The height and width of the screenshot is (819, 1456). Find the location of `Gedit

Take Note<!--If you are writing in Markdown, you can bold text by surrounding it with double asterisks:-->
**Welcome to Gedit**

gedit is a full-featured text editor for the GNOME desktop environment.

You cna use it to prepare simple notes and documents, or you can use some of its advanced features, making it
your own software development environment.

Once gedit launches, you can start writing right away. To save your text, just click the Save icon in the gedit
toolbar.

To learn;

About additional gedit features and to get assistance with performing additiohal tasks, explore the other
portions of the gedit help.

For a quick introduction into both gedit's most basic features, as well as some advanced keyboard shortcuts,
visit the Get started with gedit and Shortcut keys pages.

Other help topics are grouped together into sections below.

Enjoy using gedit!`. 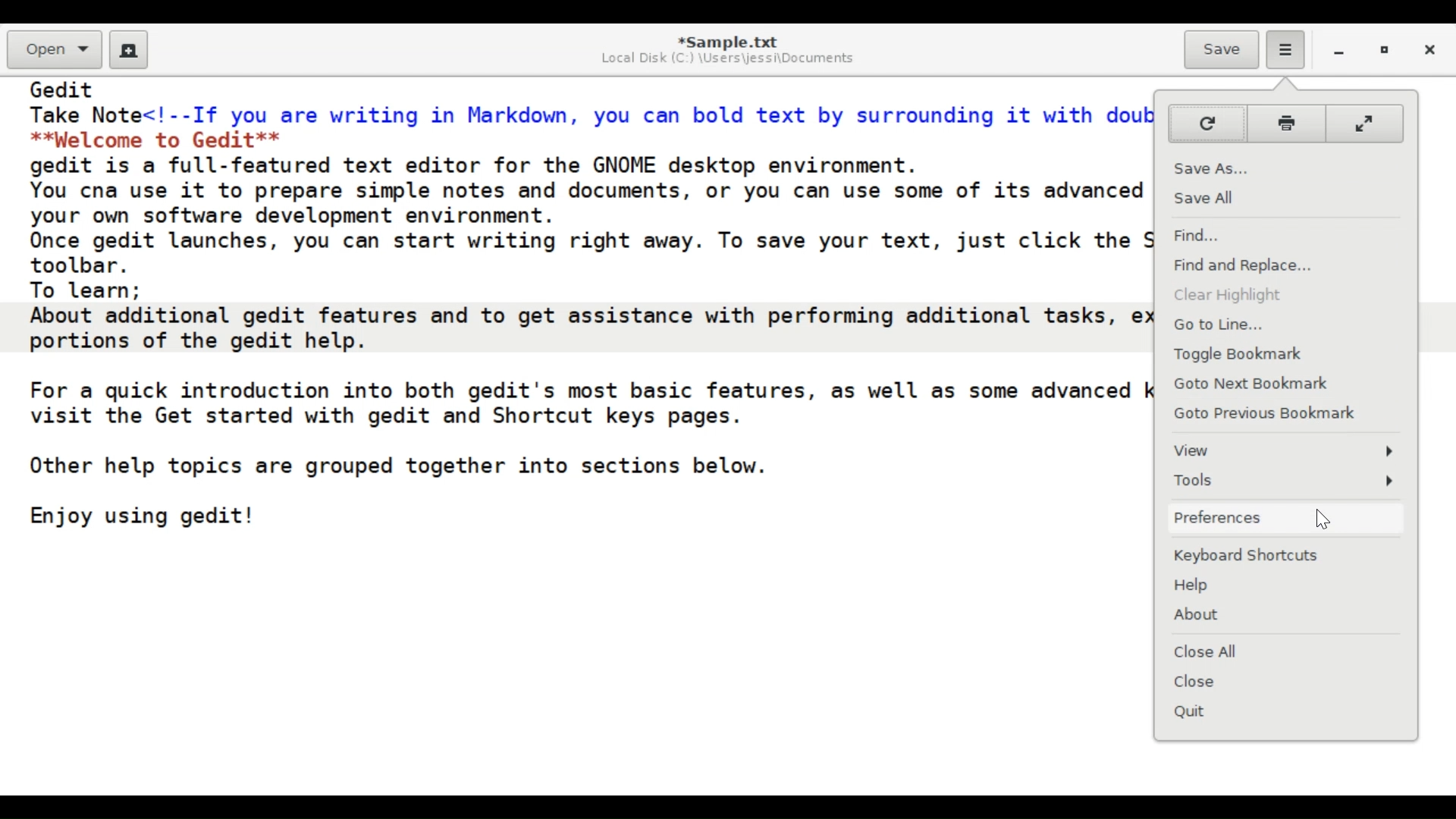

Gedit

Take Note<!--If you are writing in Markdown, you can bold text by surrounding it with double asterisks:-->
**Welcome to Gedit**

gedit is a full-featured text editor for the GNOME desktop environment.

You cna use it to prepare simple notes and documents, or you can use some of its advanced features, making it
your own software development environment.

Once gedit launches, you can start writing right away. To save your text, just click the Save icon in the gedit
toolbar.

To learn;

About additional gedit features and to get assistance with performing additiohal tasks, explore the other
portions of the gedit help.

For a quick introduction into both gedit's most basic features, as well as some advanced keyboard shortcuts,
visit the Get started with gedit and Shortcut keys pages.

Other help topics are grouped together into sections below.

Enjoy using gedit! is located at coordinates (586, 312).